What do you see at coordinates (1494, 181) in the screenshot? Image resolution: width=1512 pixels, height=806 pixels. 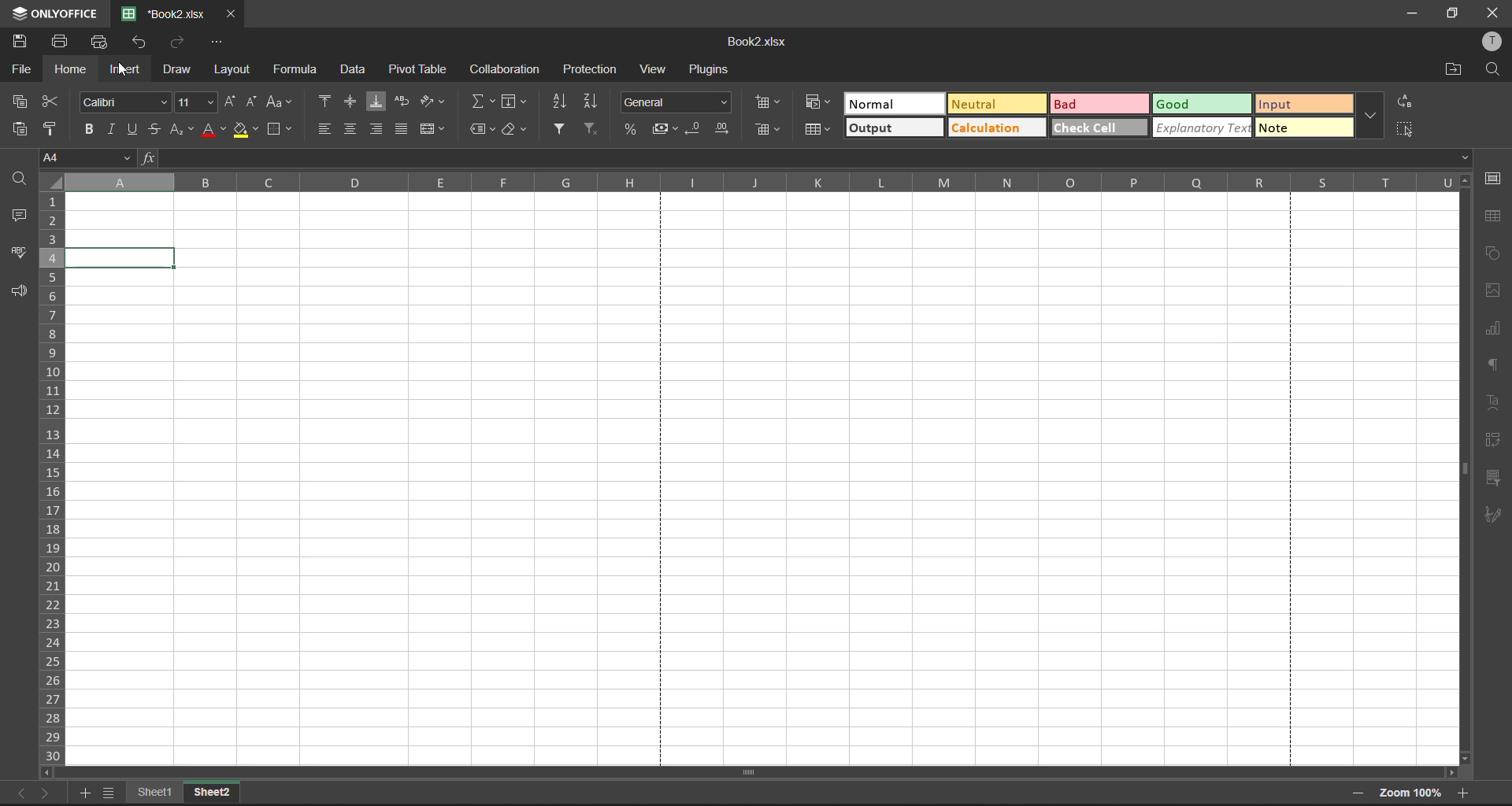 I see `cell settings` at bounding box center [1494, 181].